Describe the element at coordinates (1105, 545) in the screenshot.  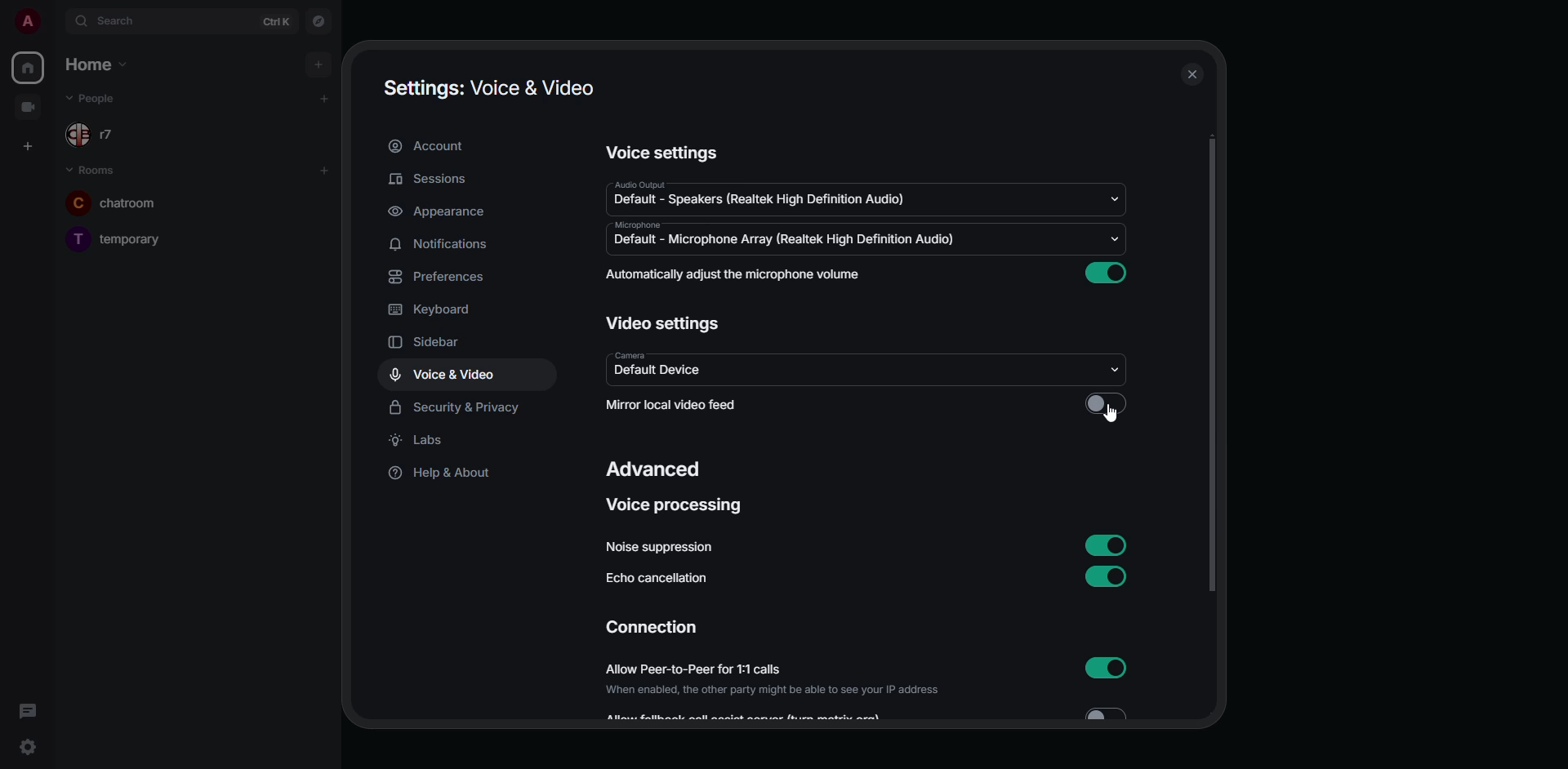
I see `enabled` at that location.